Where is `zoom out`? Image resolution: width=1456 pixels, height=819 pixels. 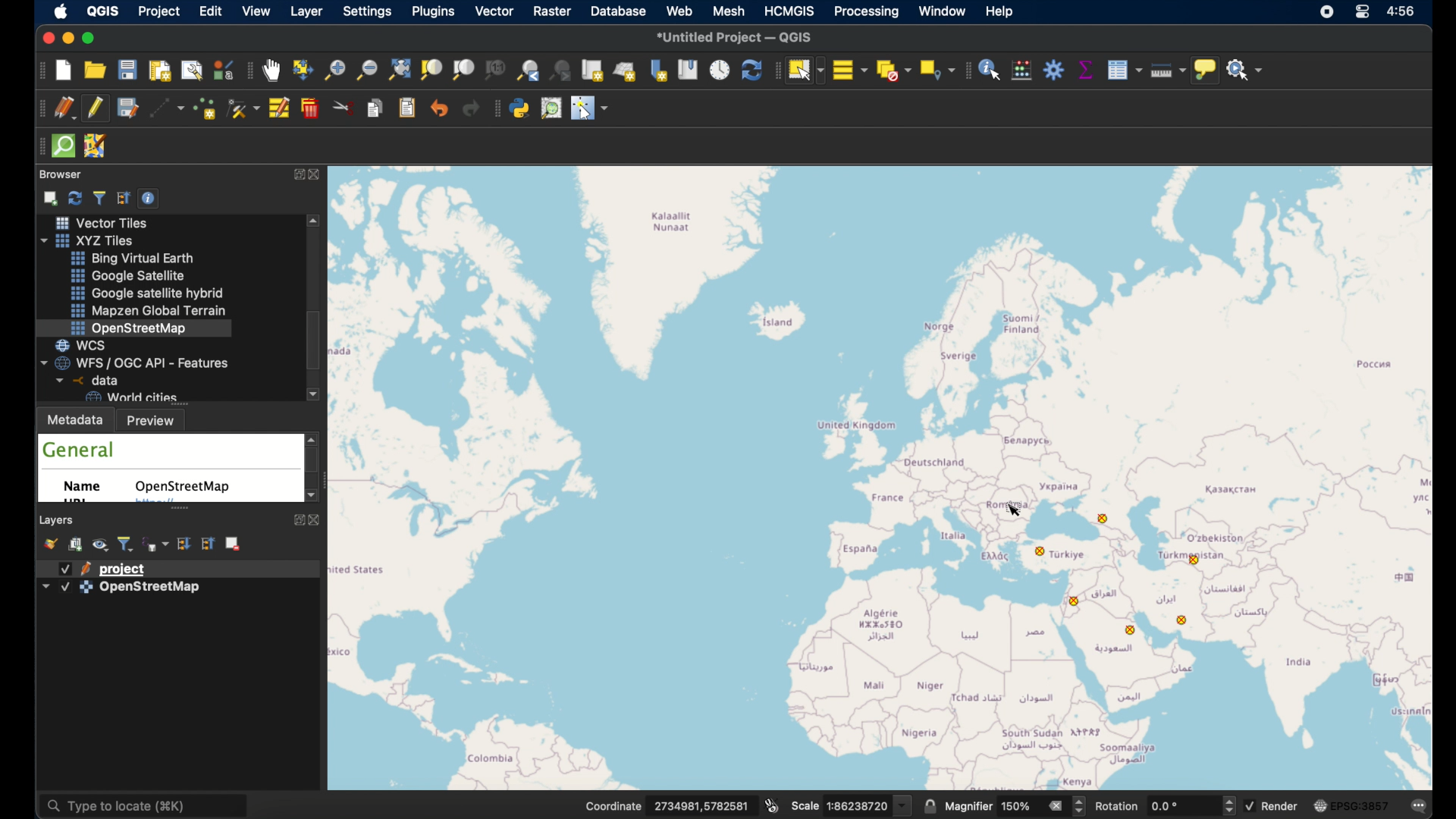 zoom out is located at coordinates (366, 69).